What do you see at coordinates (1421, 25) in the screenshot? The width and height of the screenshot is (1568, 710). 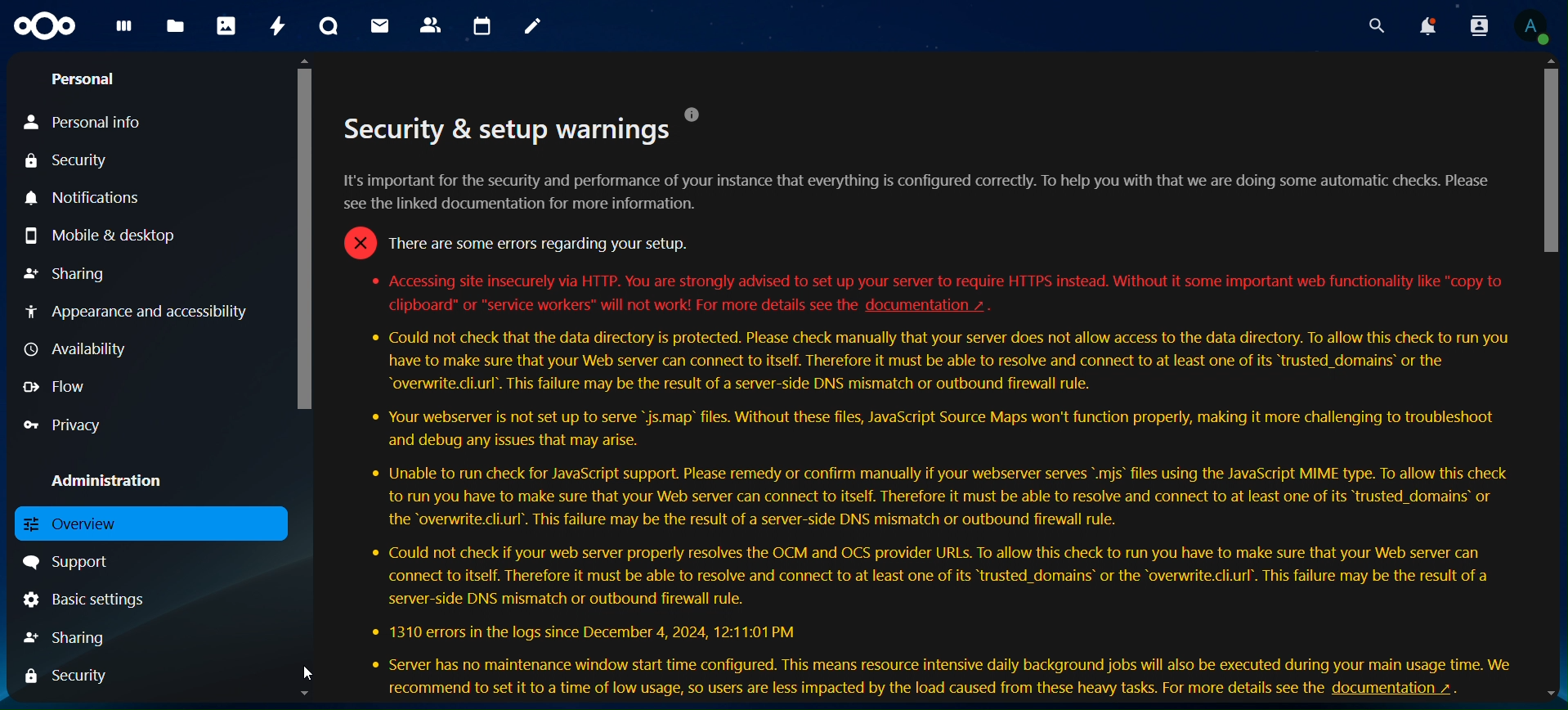 I see `notifications` at bounding box center [1421, 25].